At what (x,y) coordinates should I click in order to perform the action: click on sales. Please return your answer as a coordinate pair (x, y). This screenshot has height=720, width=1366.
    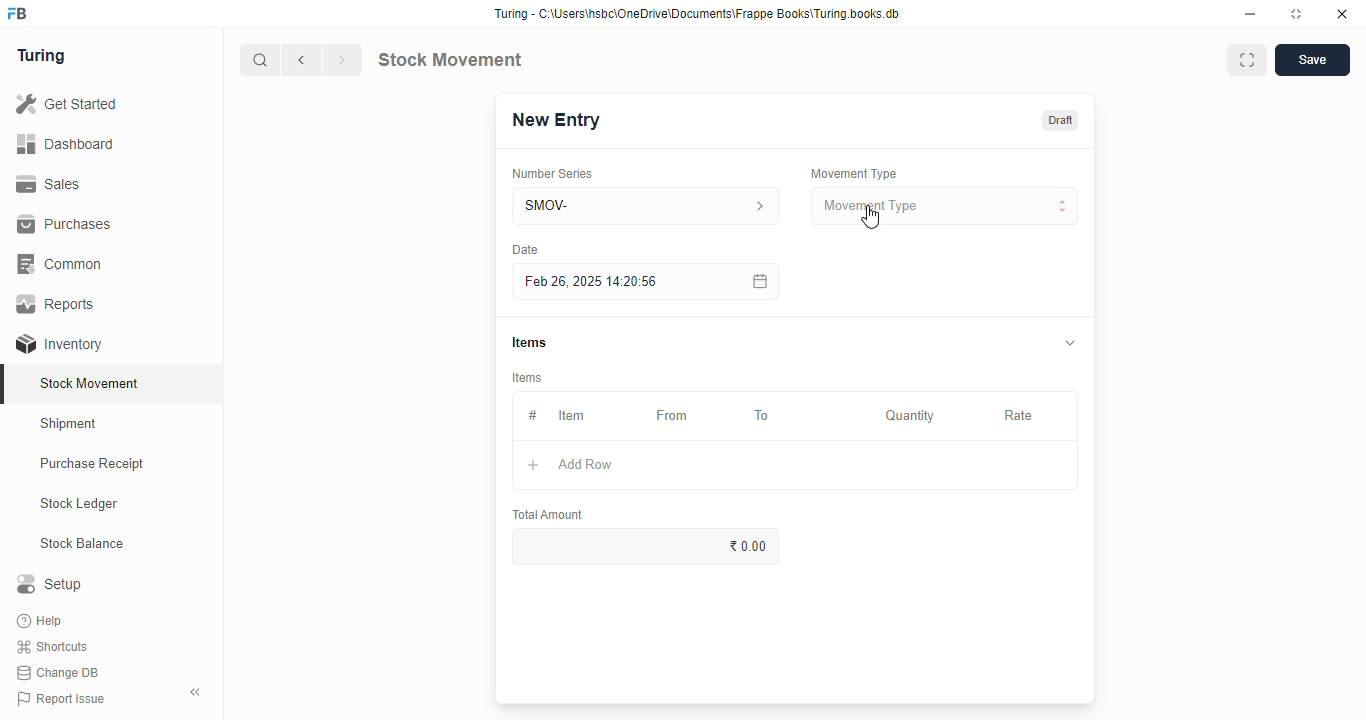
    Looking at the image, I should click on (48, 184).